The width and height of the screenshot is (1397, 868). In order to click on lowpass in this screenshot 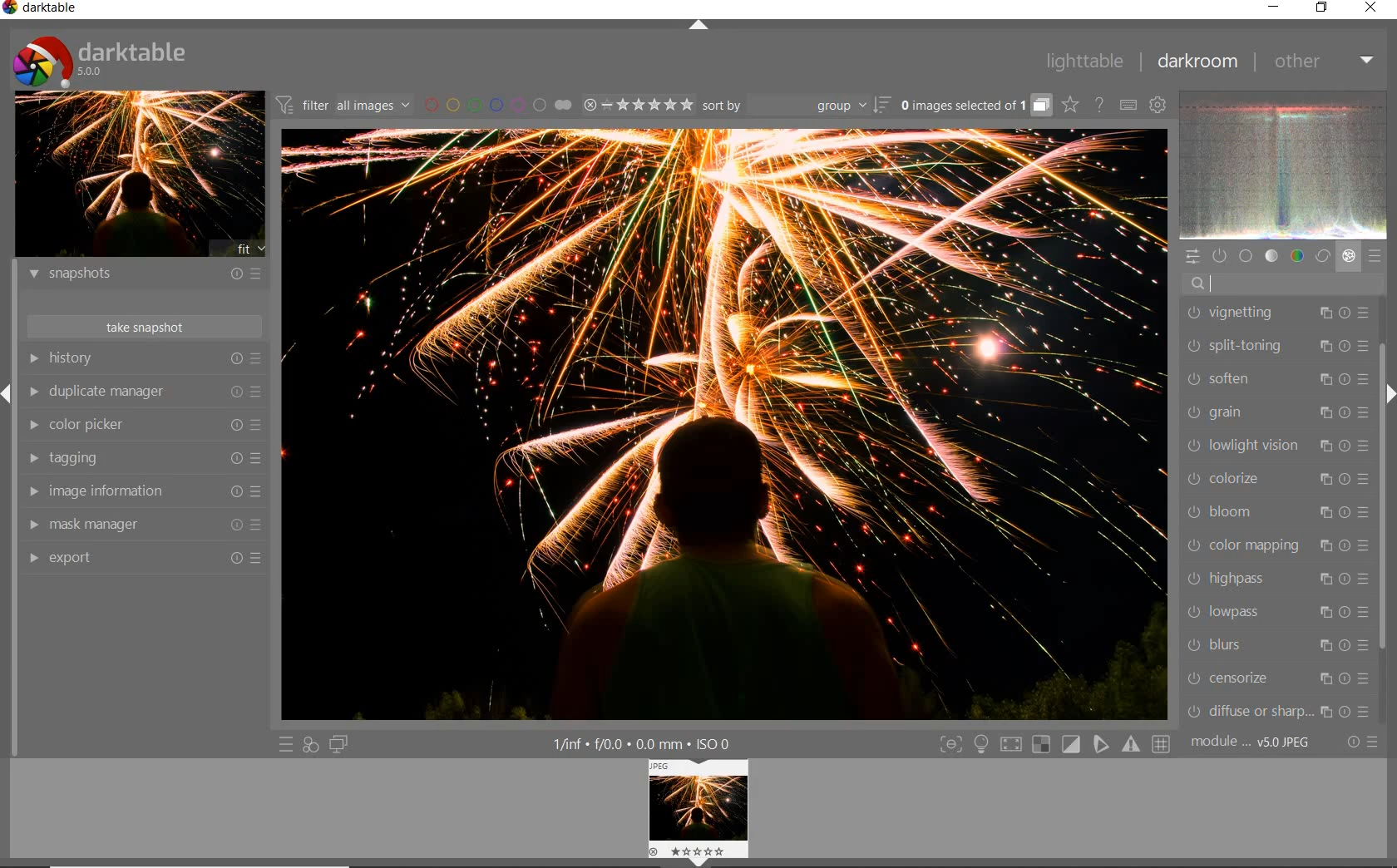, I will do `click(1276, 614)`.